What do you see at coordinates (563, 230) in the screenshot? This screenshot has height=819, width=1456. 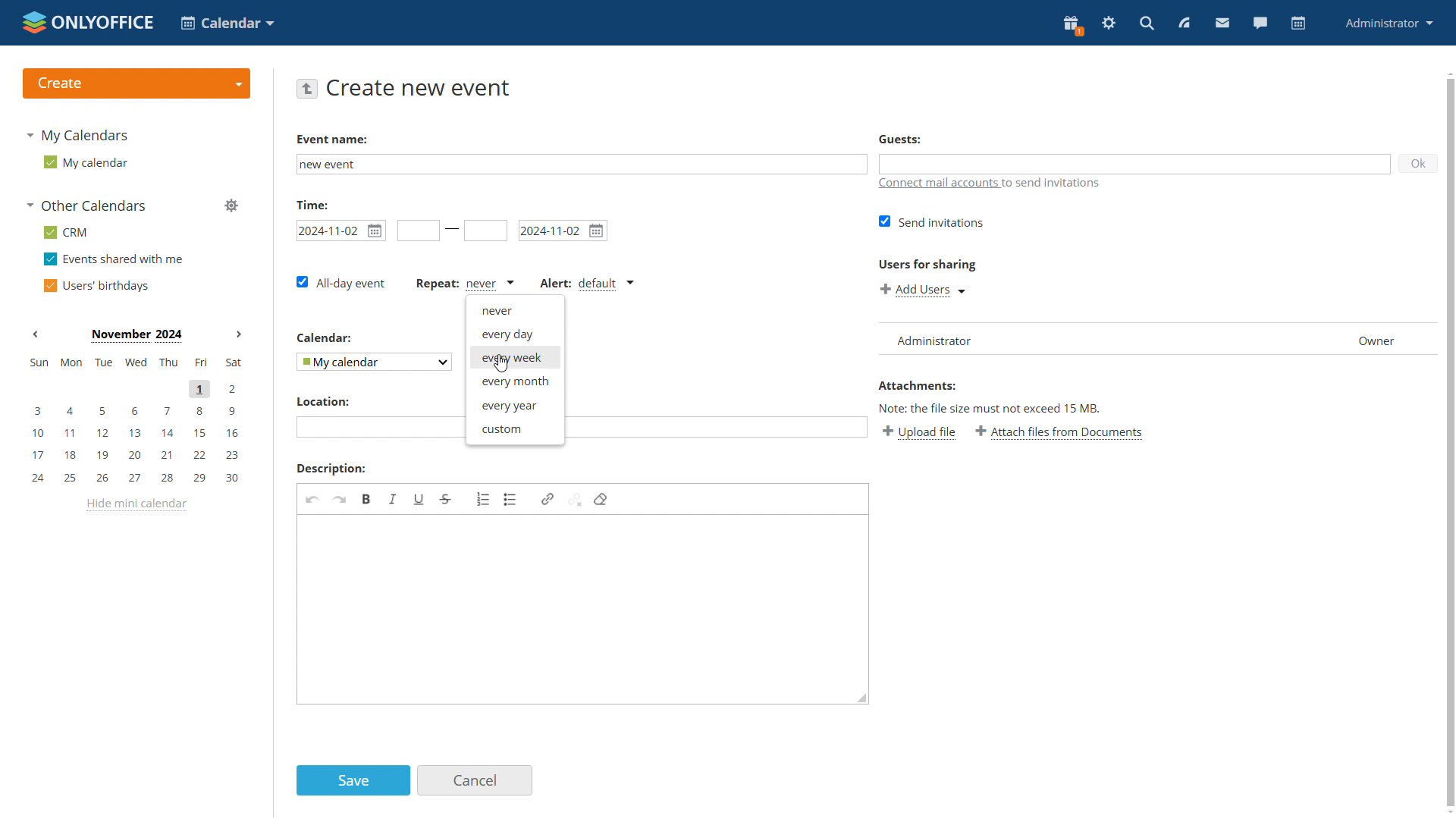 I see `event end date` at bounding box center [563, 230].